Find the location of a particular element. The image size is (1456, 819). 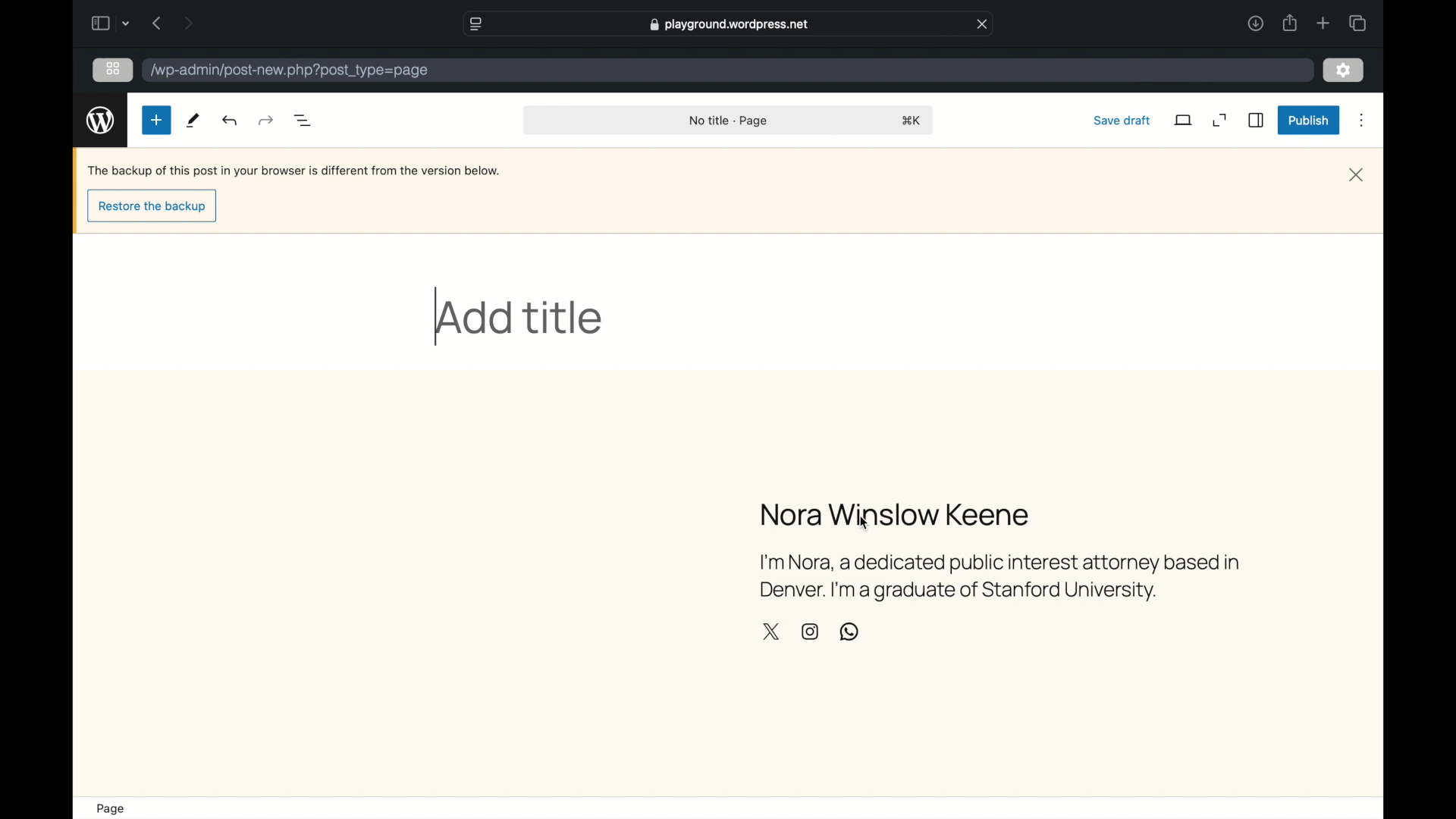

publish is located at coordinates (1310, 120).